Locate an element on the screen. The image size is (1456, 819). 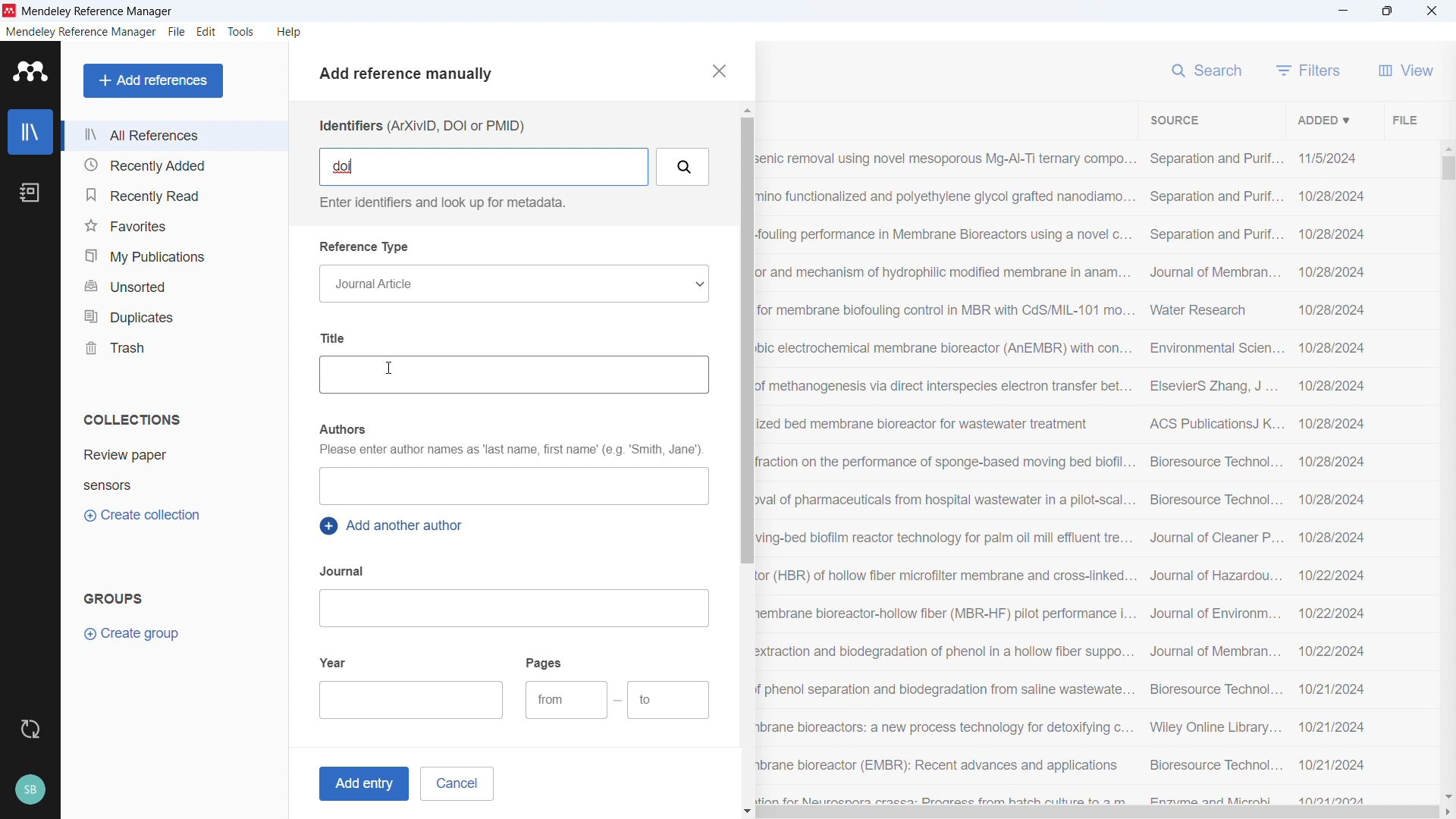
Source of individual entries  is located at coordinates (1214, 475).